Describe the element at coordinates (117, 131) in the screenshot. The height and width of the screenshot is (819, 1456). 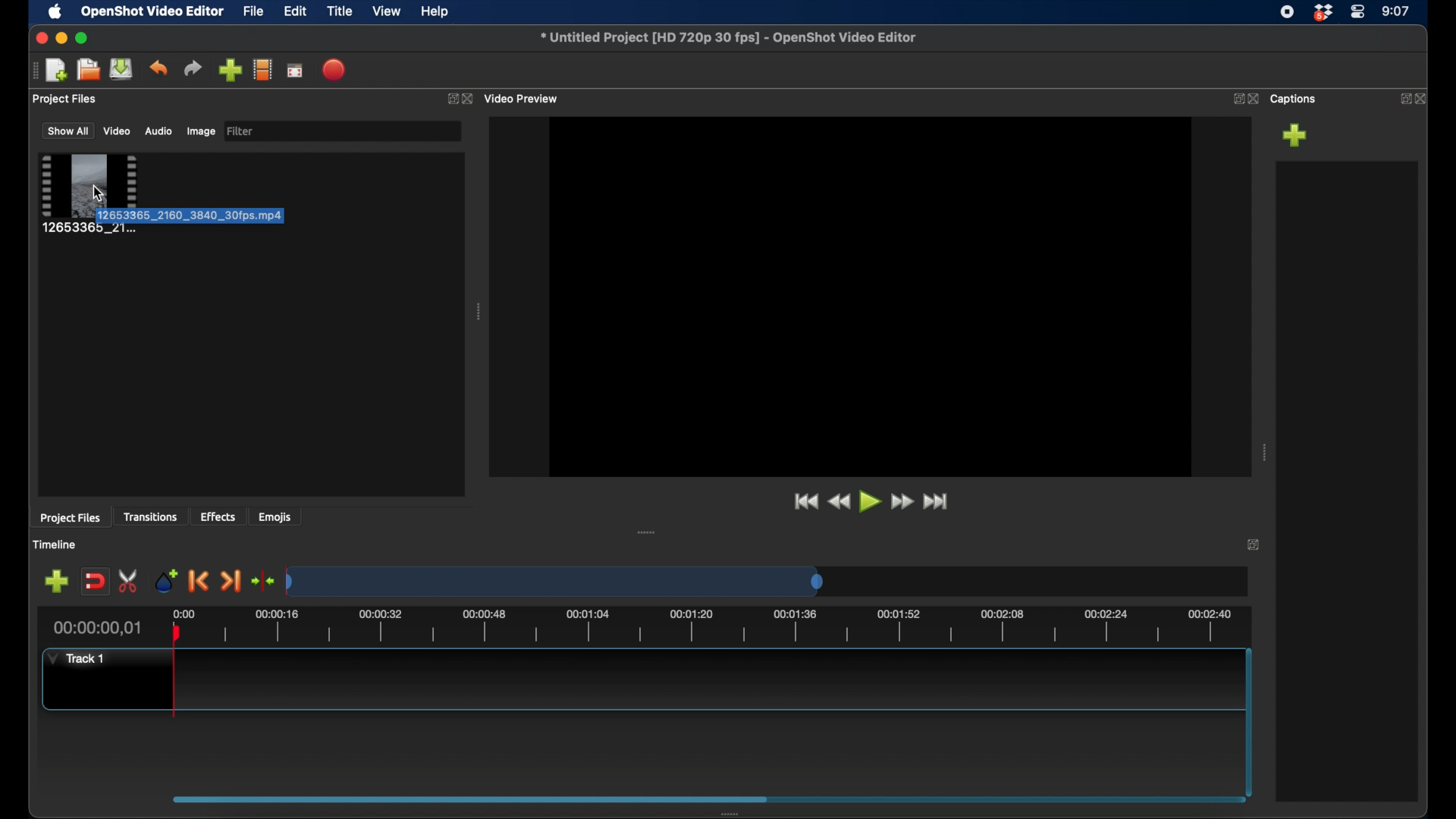
I see `video` at that location.